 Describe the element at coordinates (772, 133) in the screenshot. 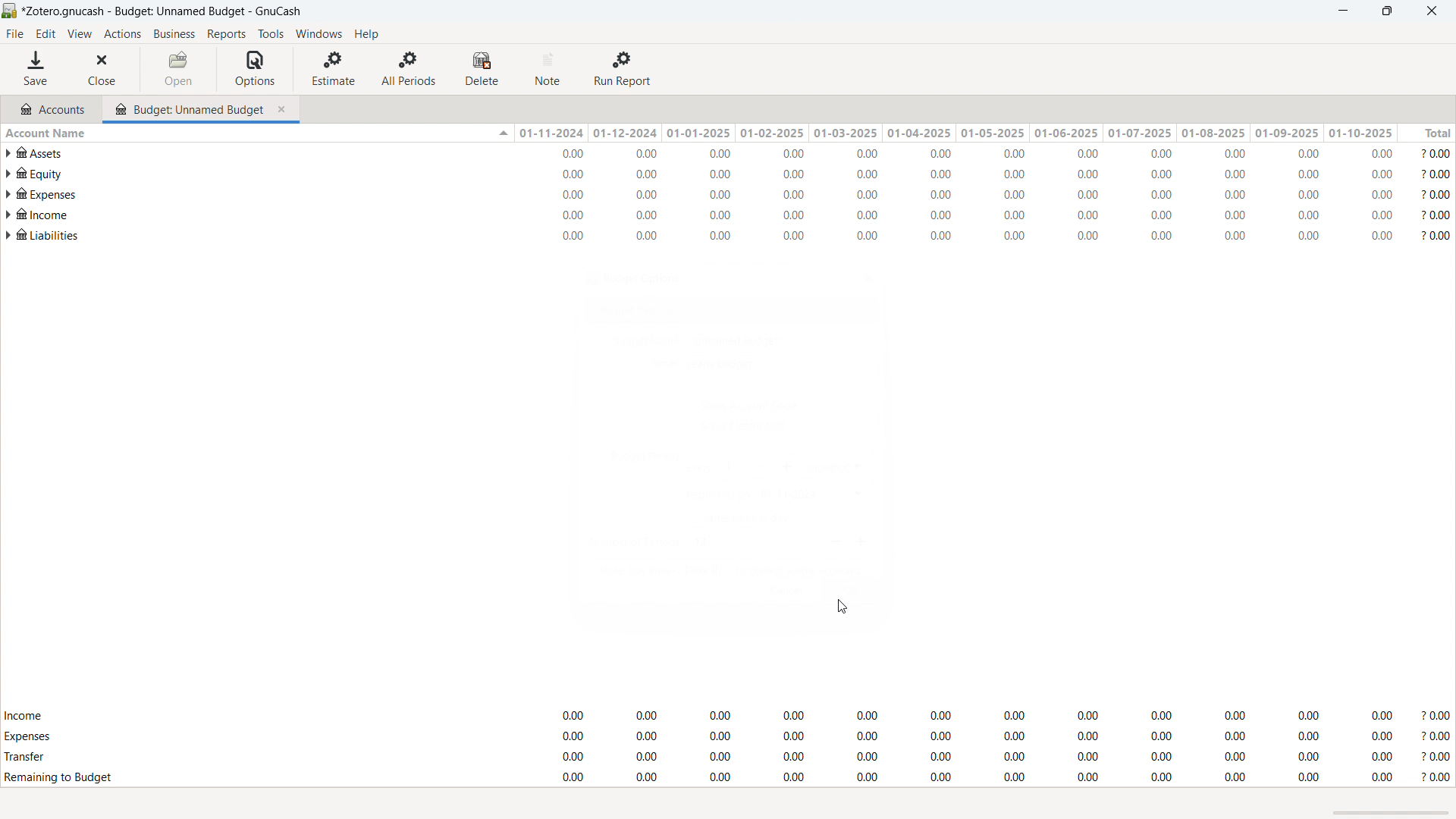

I see `01-02-2025` at that location.